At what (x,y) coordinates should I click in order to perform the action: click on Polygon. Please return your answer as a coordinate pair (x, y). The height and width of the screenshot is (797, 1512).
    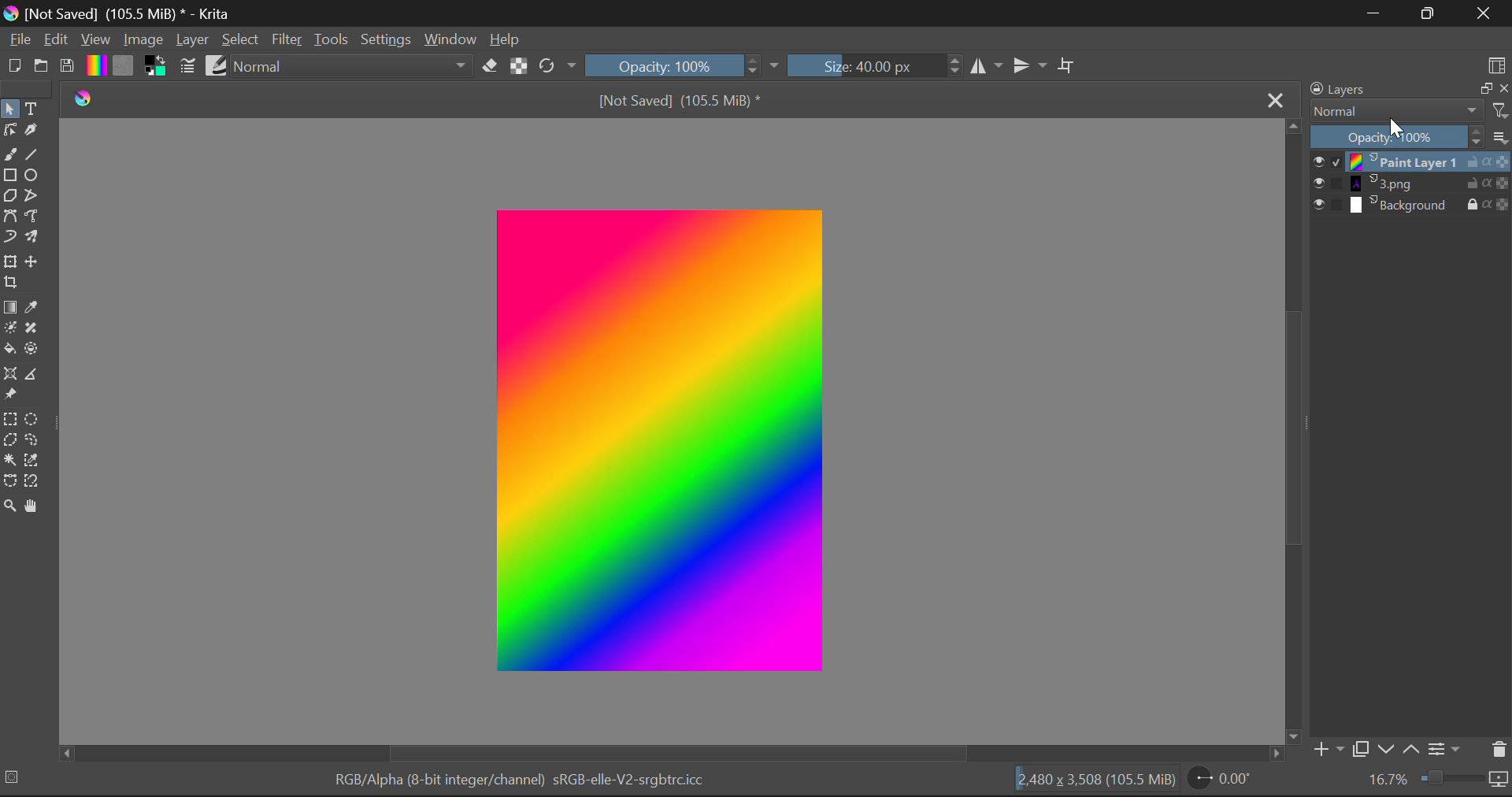
    Looking at the image, I should click on (11, 196).